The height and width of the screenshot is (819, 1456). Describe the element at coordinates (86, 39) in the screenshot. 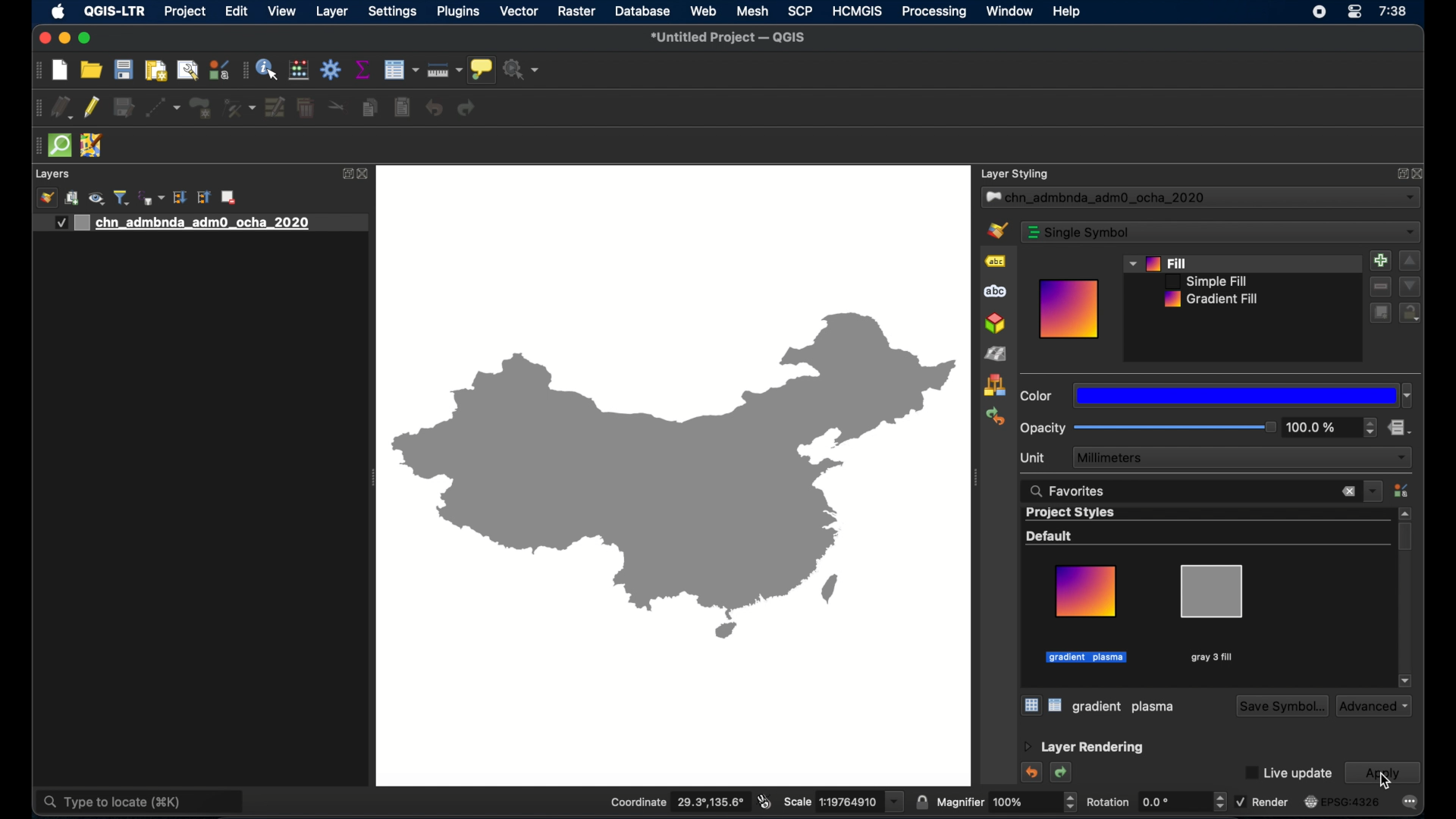

I see `maximize` at that location.